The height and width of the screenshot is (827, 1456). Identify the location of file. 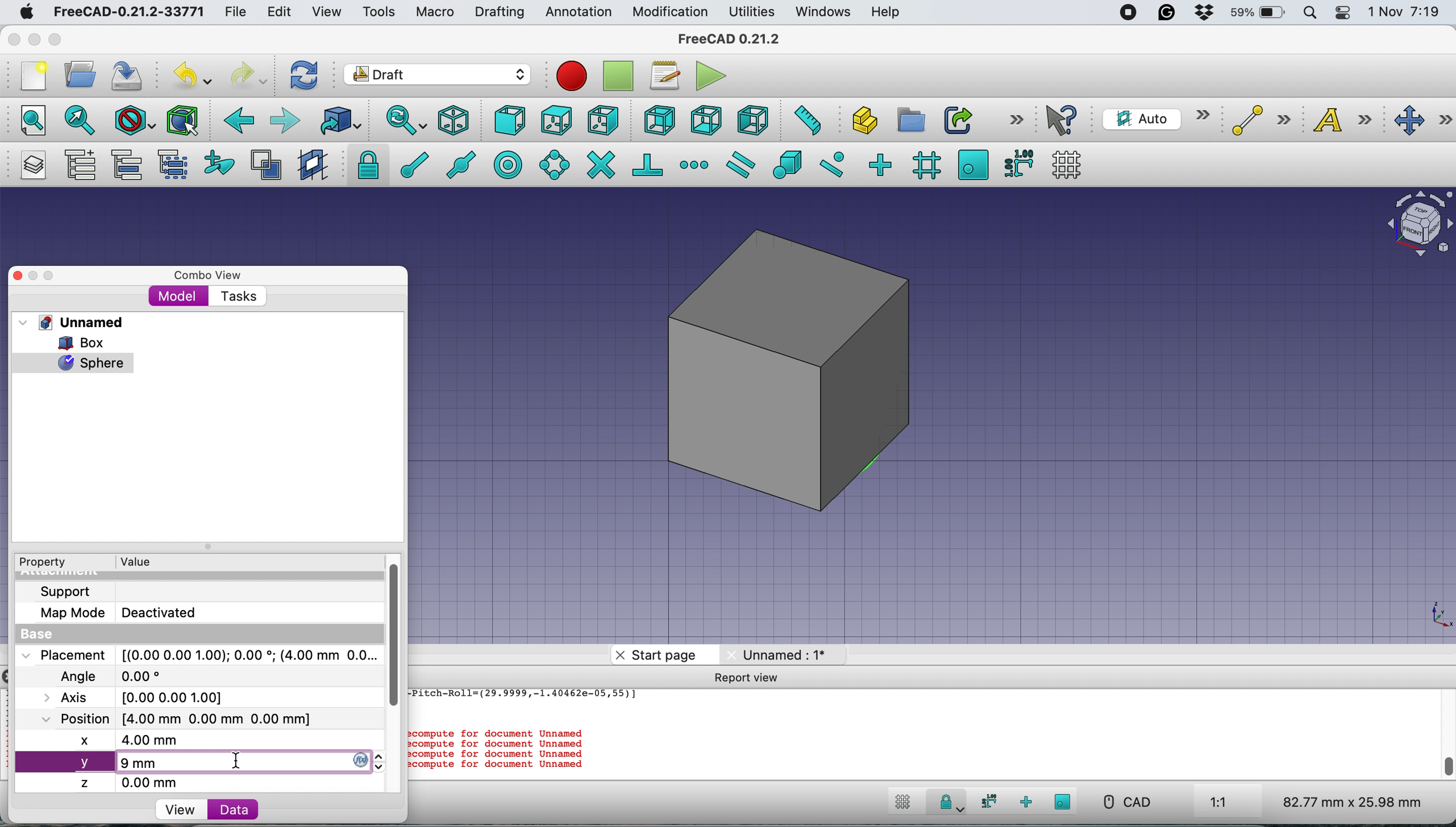
(235, 12).